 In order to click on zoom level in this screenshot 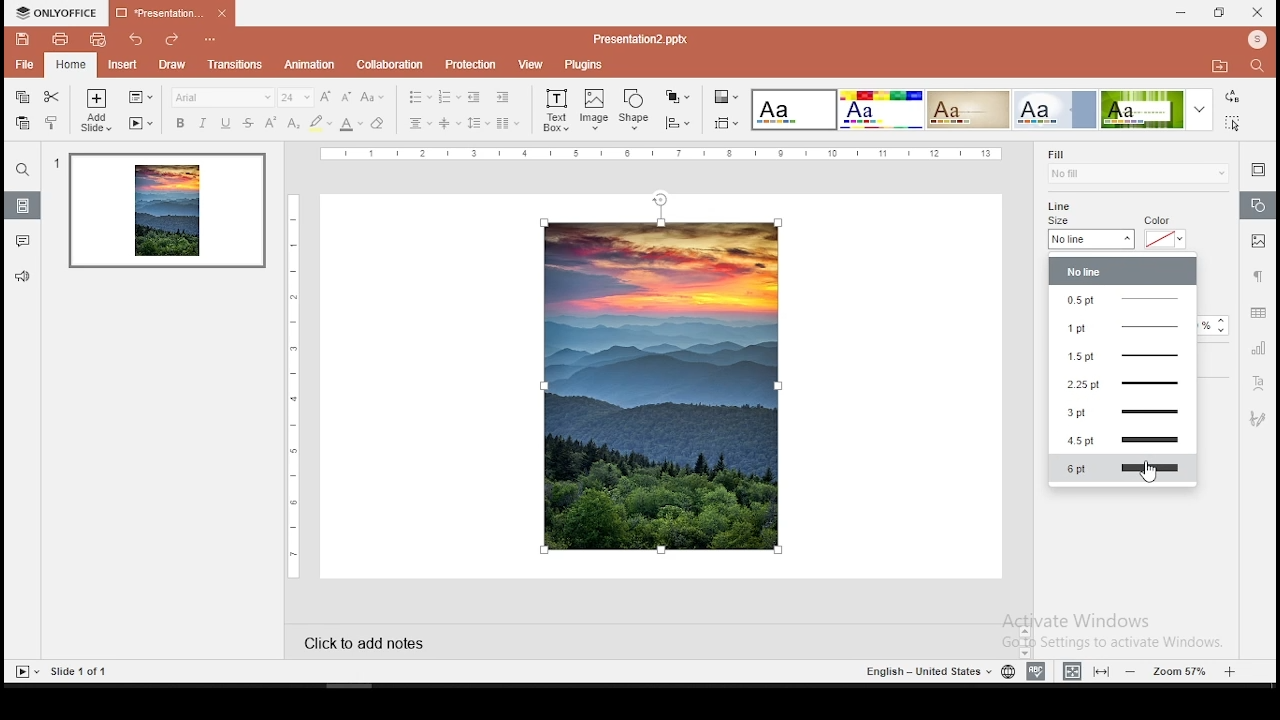, I will do `click(1183, 670)`.